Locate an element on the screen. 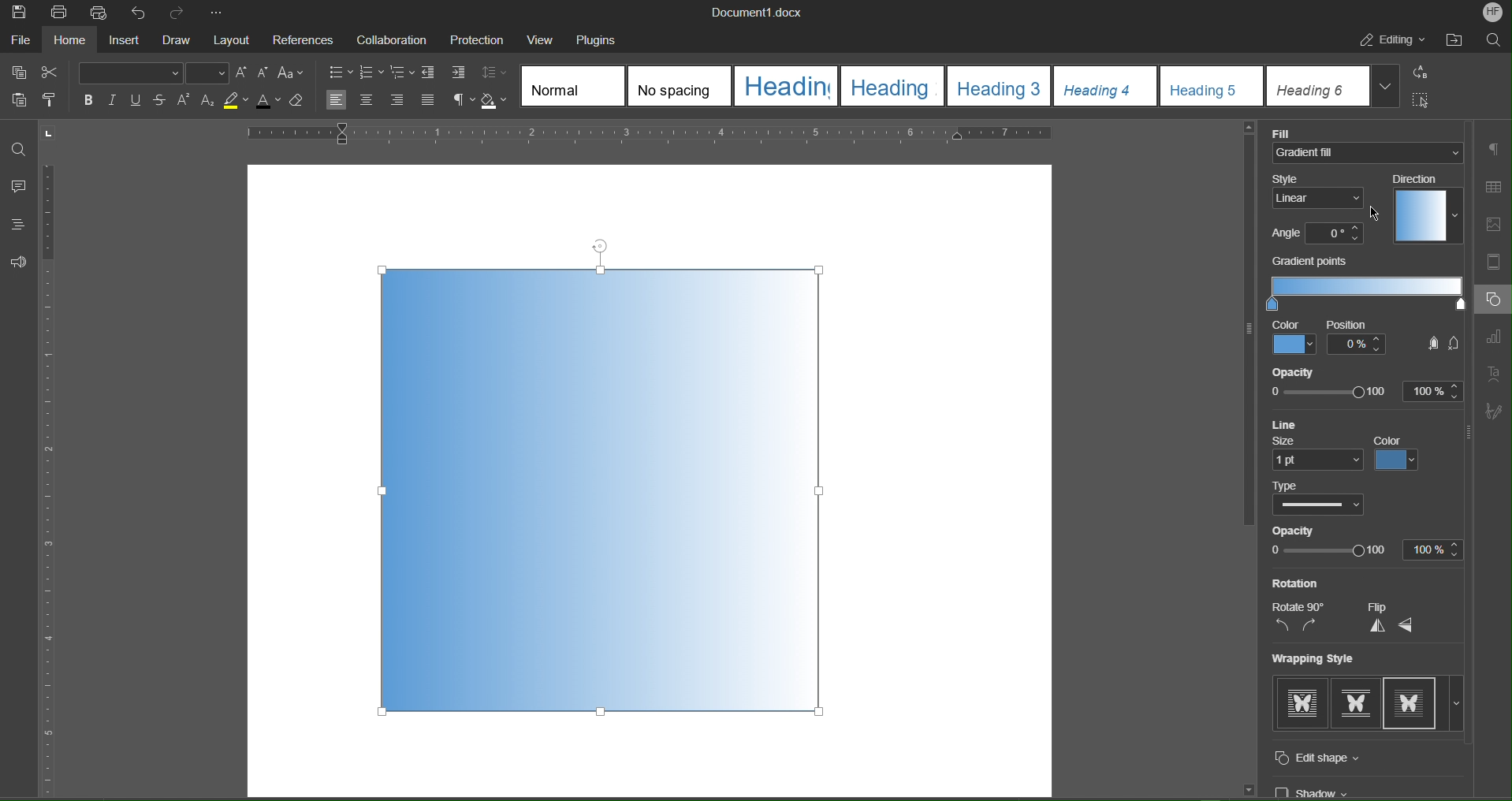  Non-Printing Characters is located at coordinates (463, 101).